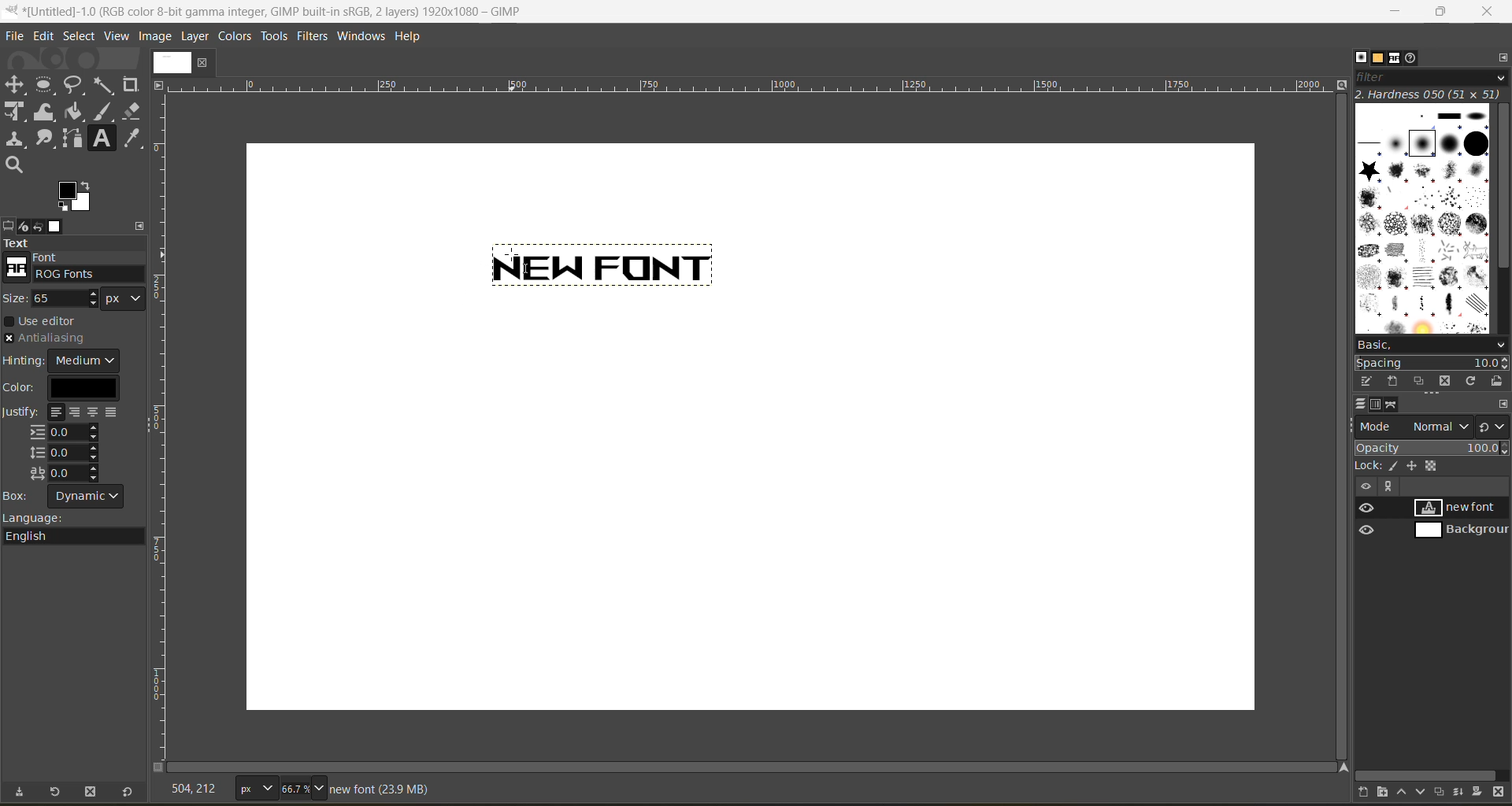 Image resolution: width=1512 pixels, height=806 pixels. Describe the element at coordinates (1448, 379) in the screenshot. I see `delete this brush` at that location.